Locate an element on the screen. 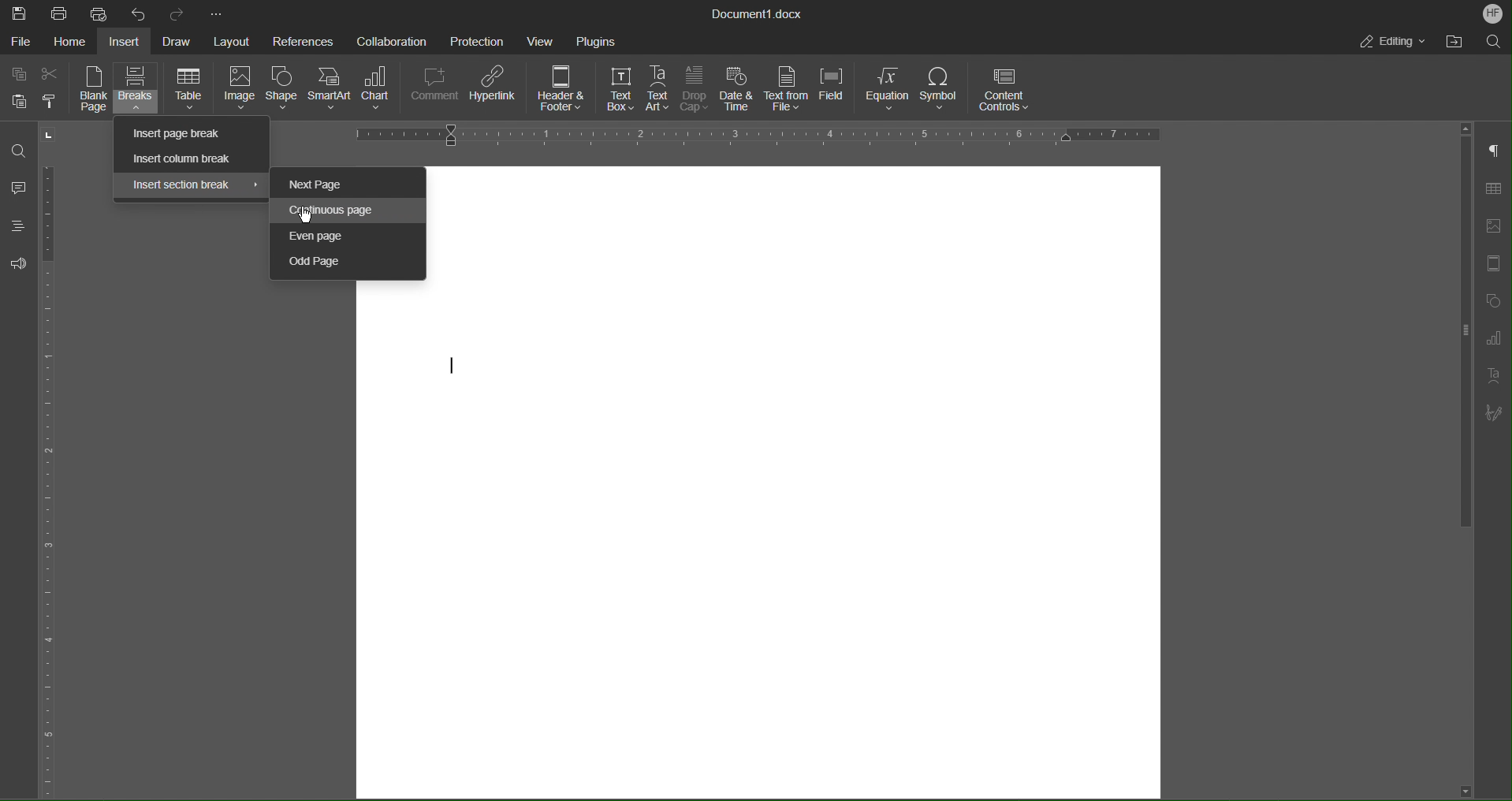  Insert column break is located at coordinates (186, 160).